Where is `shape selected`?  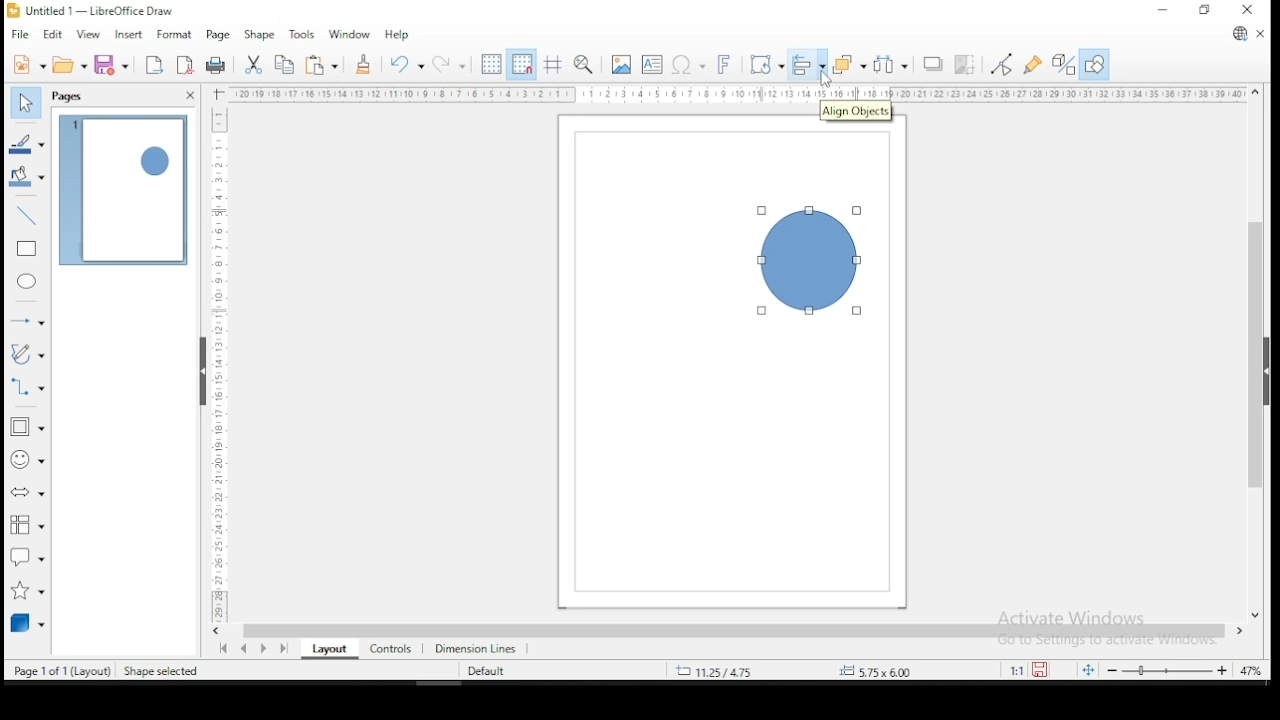 shape selected is located at coordinates (163, 672).